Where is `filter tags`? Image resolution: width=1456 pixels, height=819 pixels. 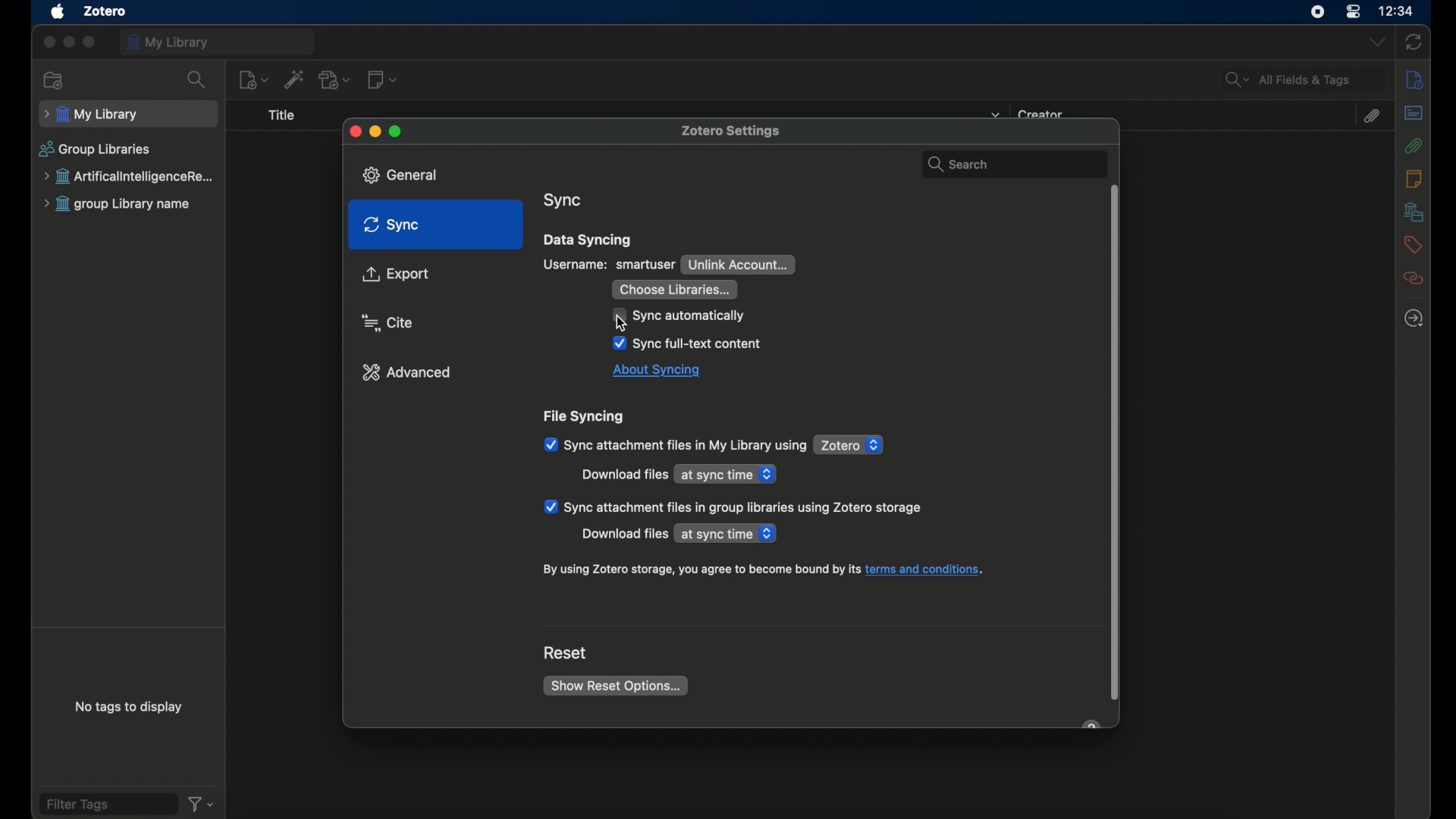 filter tags is located at coordinates (107, 804).